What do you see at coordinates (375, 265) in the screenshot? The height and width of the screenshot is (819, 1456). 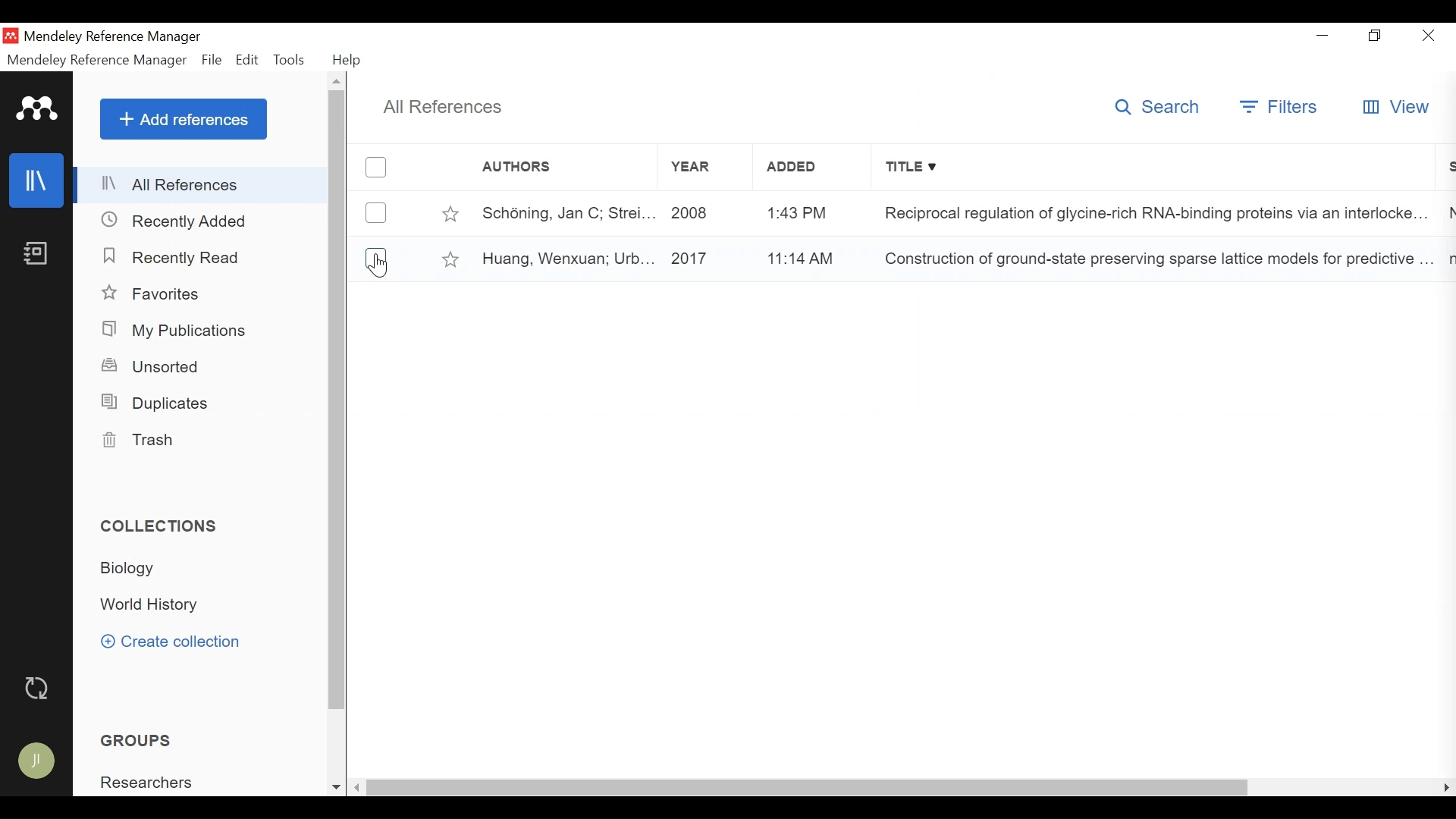 I see `Cursor` at bounding box center [375, 265].